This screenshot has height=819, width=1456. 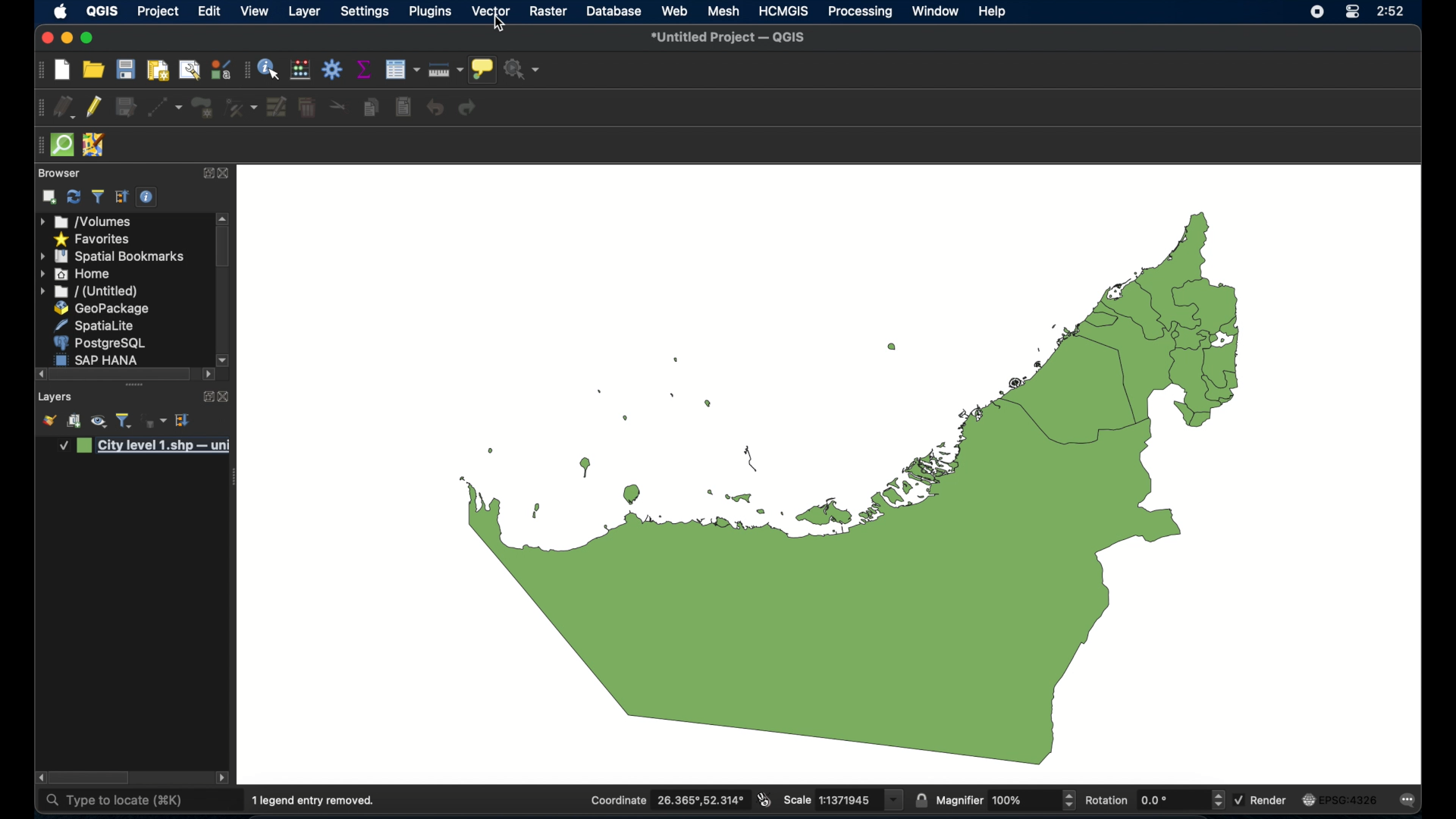 What do you see at coordinates (55, 397) in the screenshot?
I see `layers` at bounding box center [55, 397].